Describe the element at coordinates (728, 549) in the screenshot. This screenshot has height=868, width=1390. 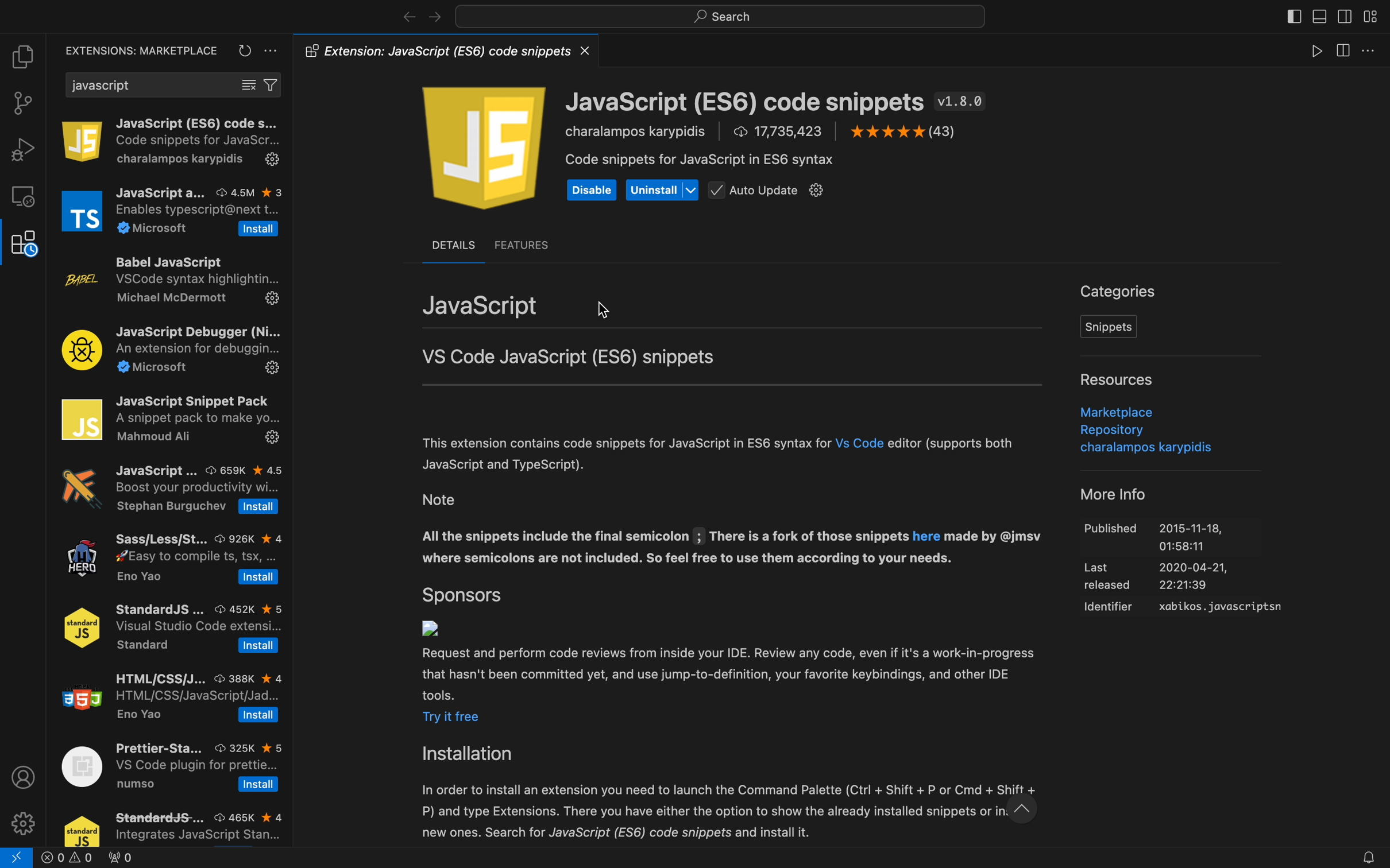
I see `` at that location.